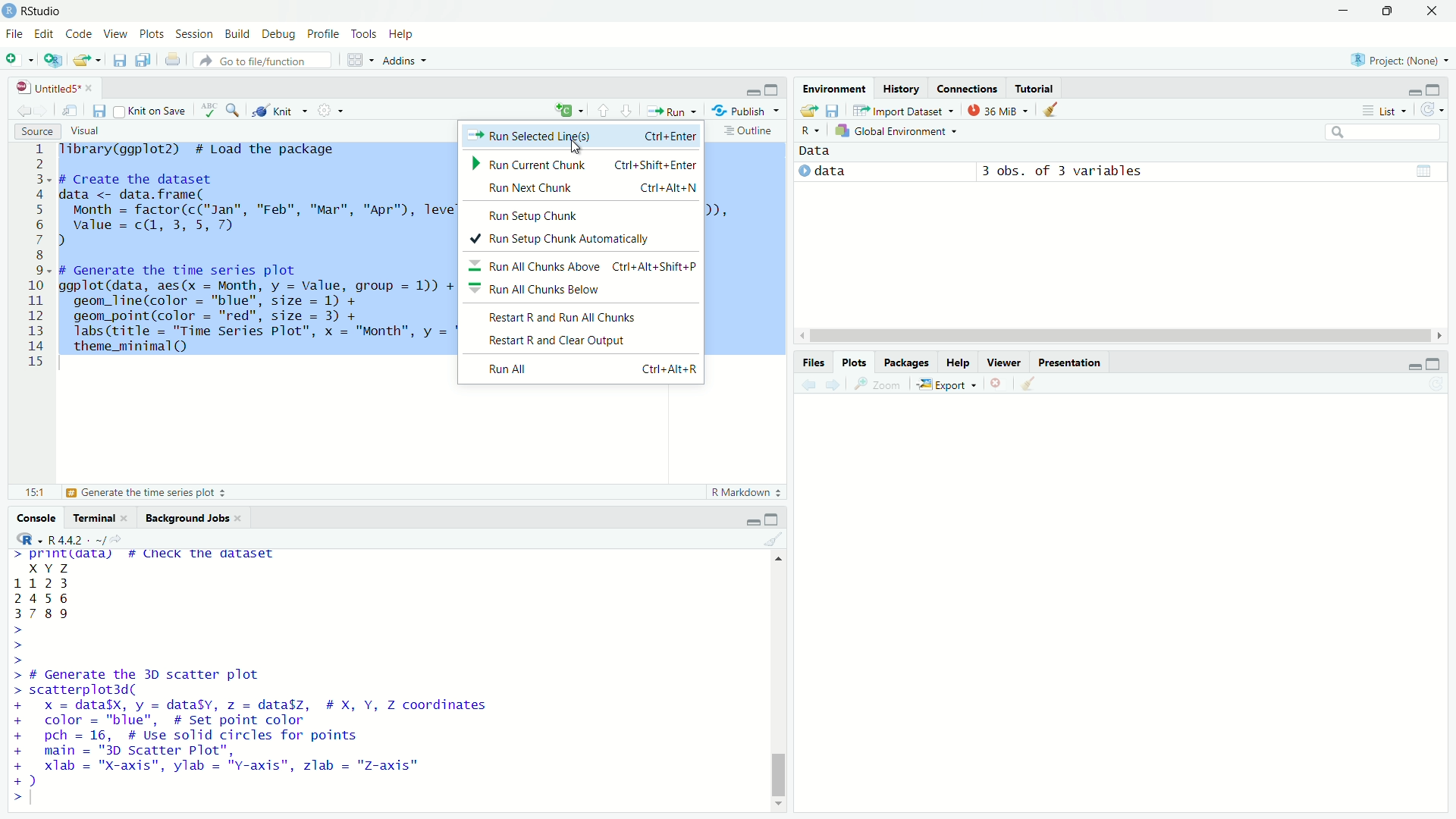 The image size is (1456, 819). I want to click on create a project, so click(54, 60).